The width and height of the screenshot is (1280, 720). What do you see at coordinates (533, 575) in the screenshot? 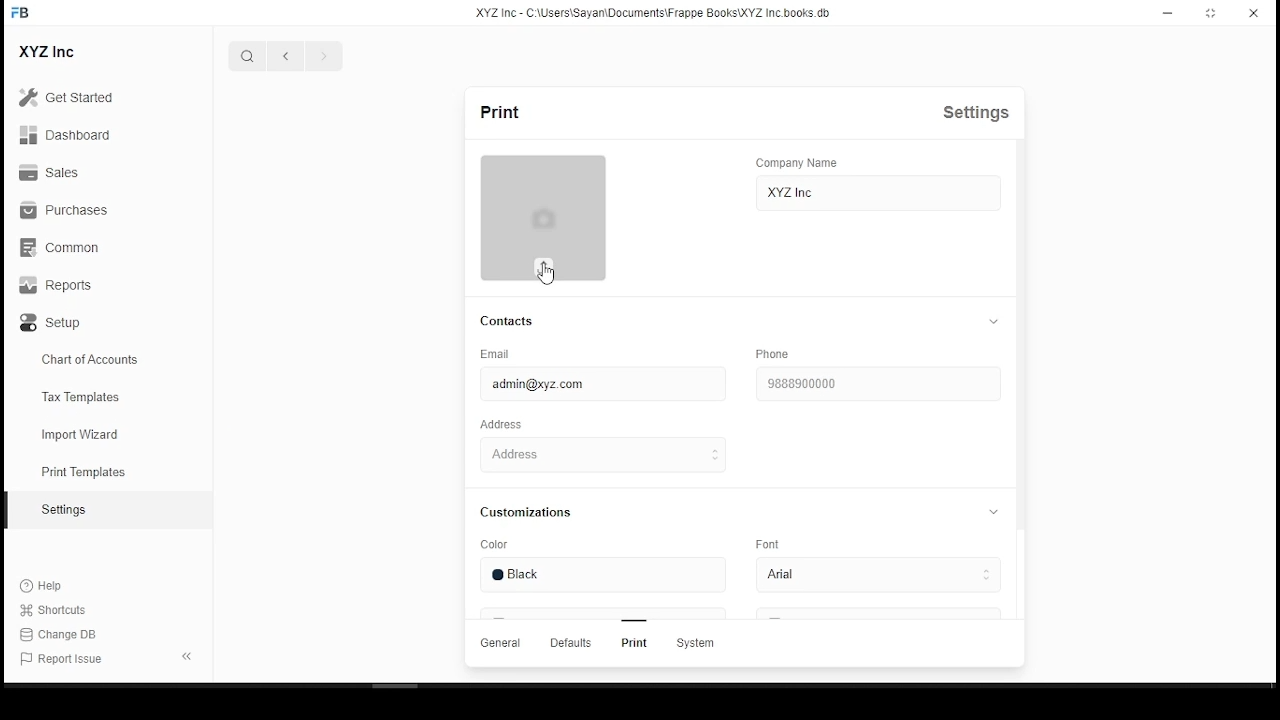
I see `black` at bounding box center [533, 575].